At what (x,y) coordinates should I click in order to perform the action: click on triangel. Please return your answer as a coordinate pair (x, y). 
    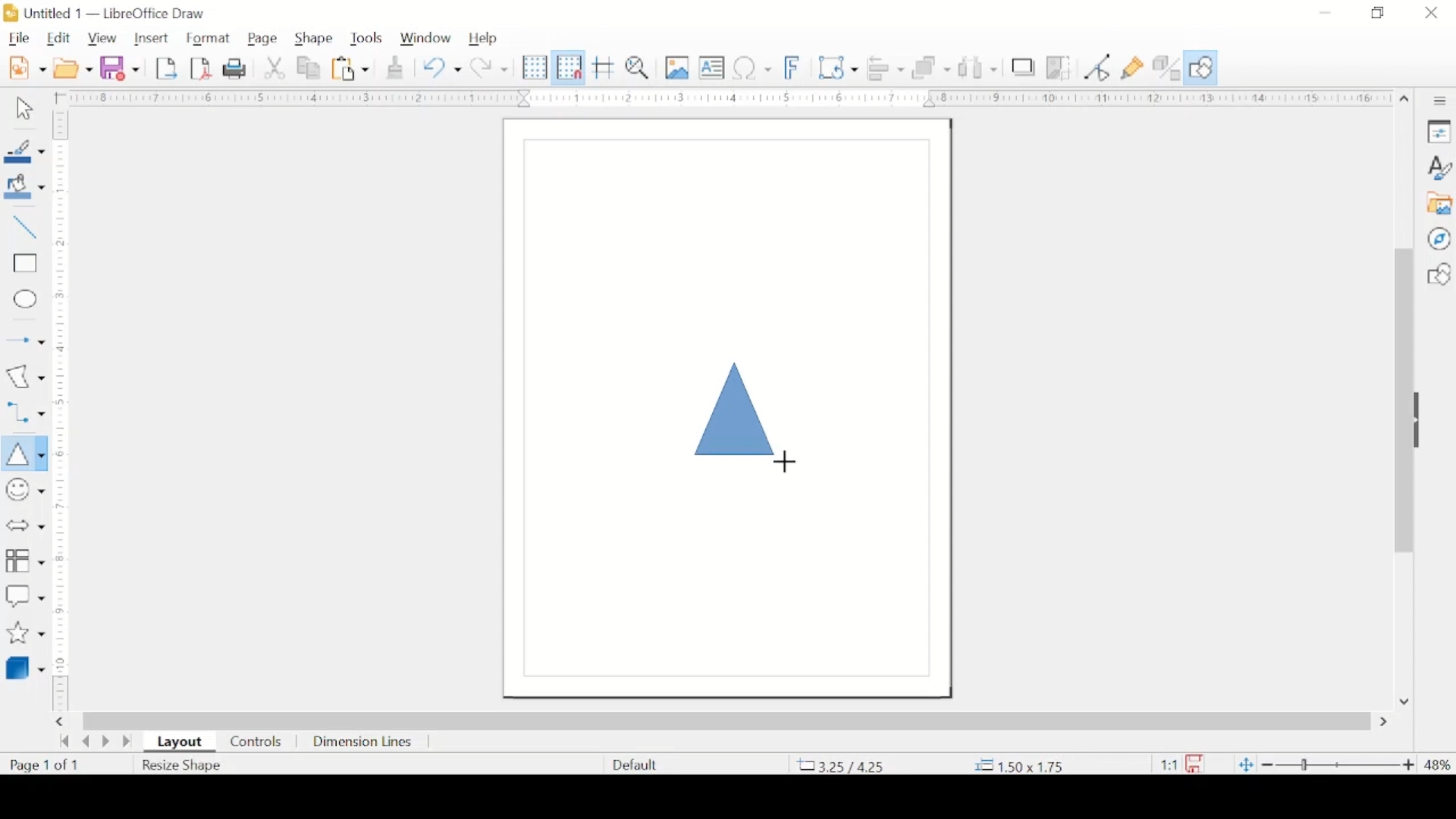
    Looking at the image, I should click on (730, 407).